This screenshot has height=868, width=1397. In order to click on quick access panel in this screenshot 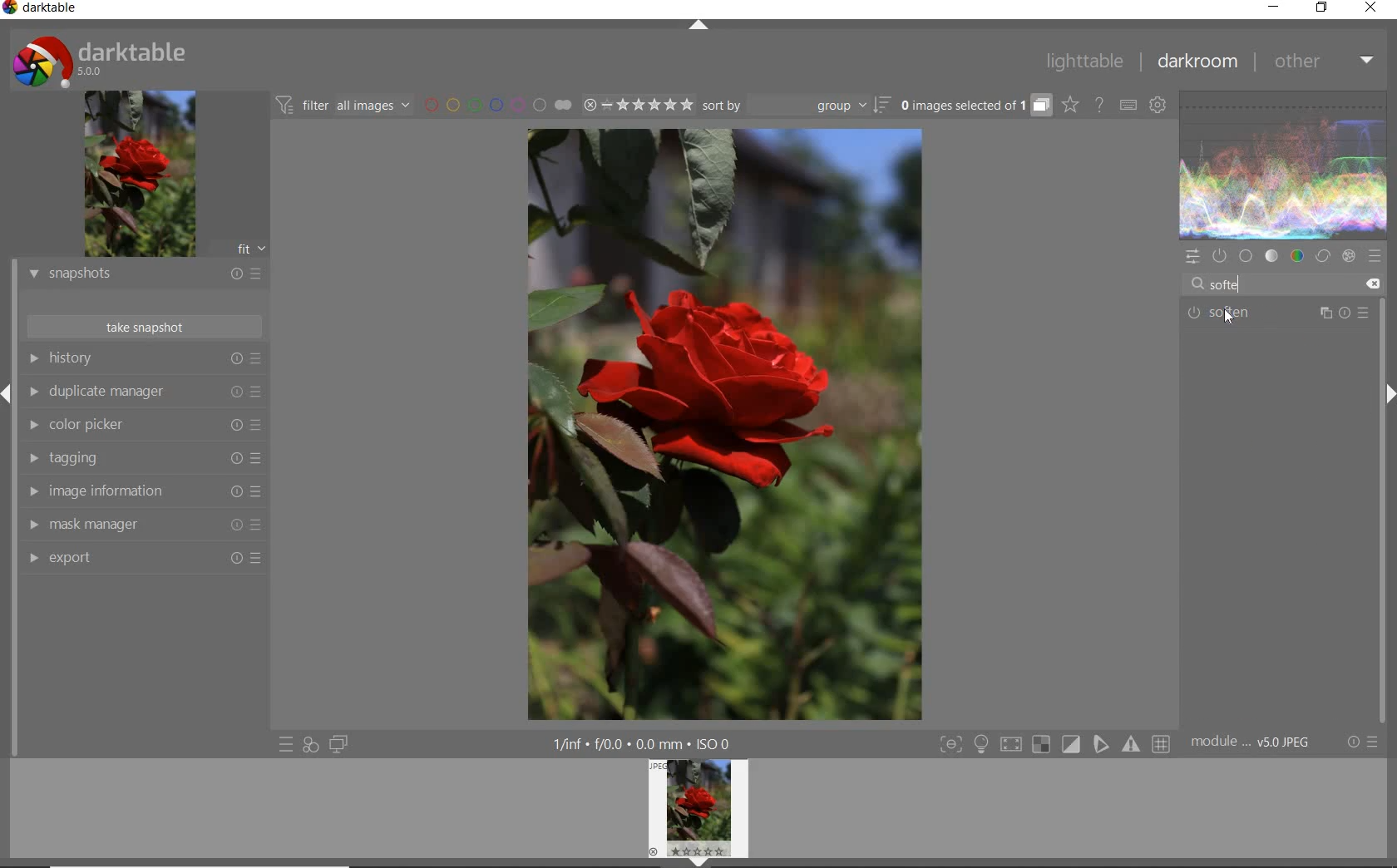, I will do `click(1192, 257)`.